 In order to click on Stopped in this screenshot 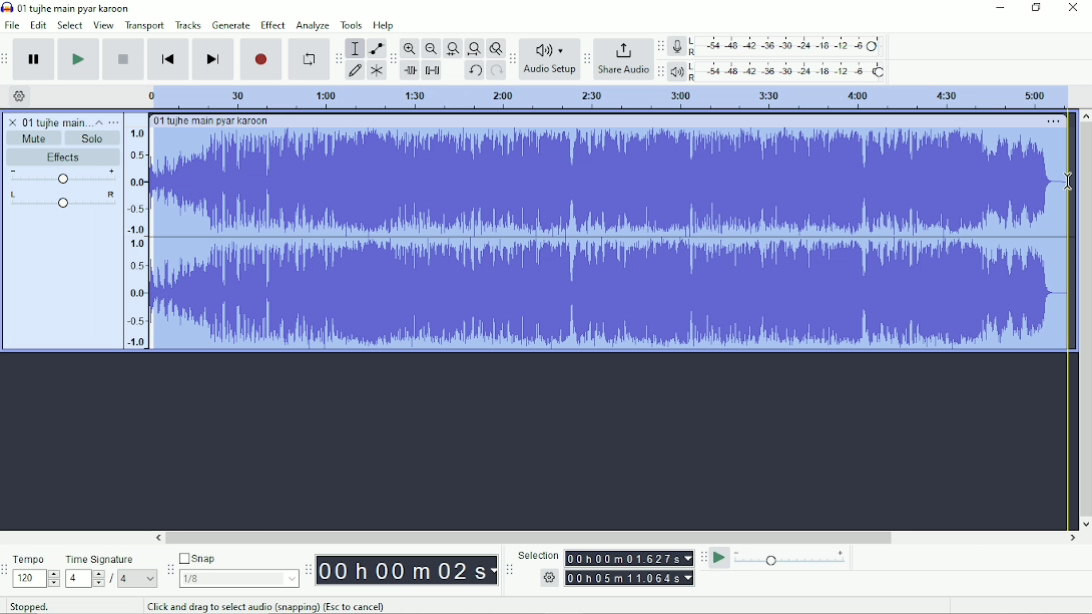, I will do `click(29, 605)`.